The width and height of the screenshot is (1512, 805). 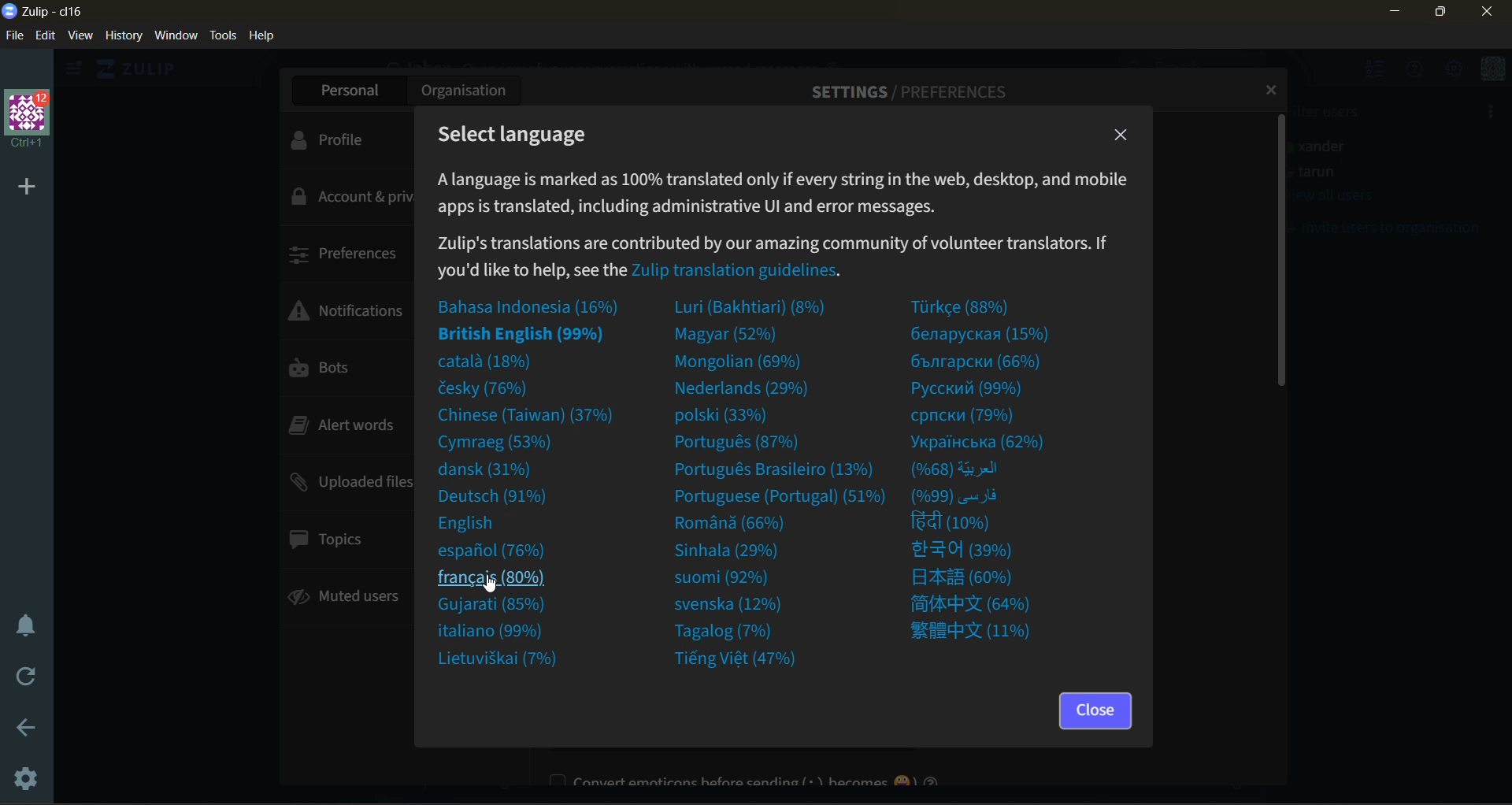 I want to click on suomi, so click(x=733, y=577).